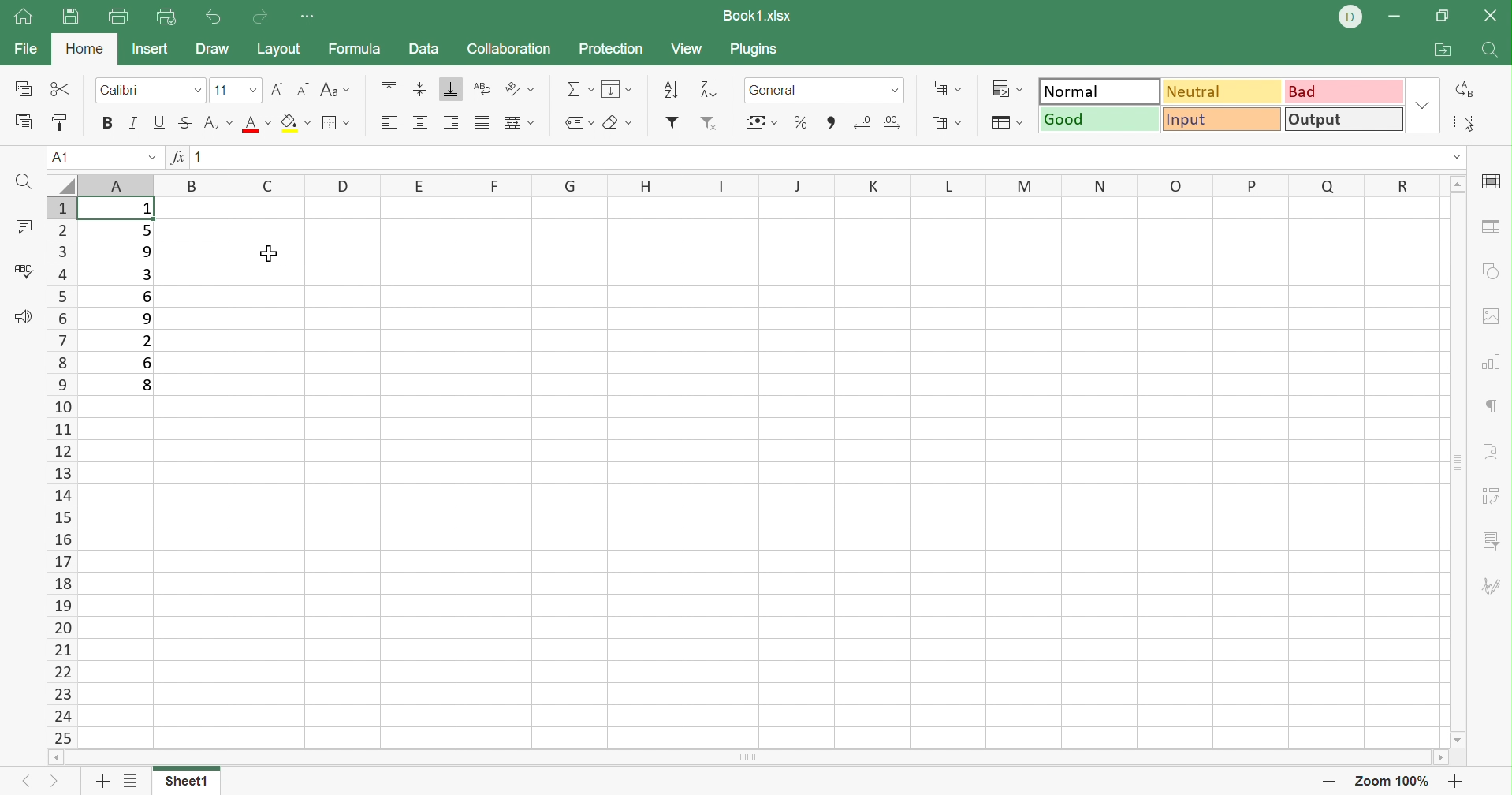  Describe the element at coordinates (196, 91) in the screenshot. I see `Drop Down` at that location.